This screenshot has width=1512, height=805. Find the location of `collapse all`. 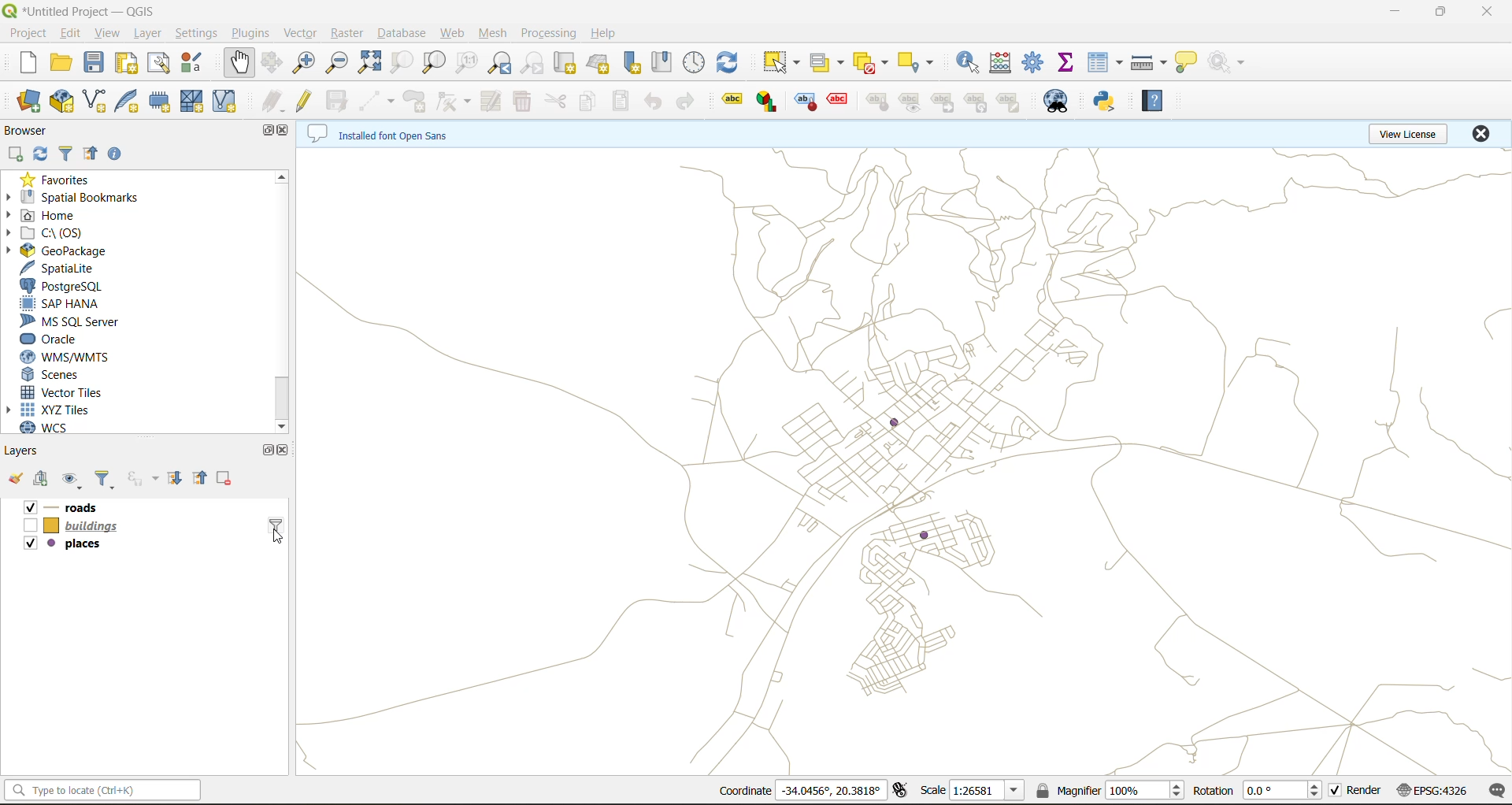

collapse all is located at coordinates (92, 154).